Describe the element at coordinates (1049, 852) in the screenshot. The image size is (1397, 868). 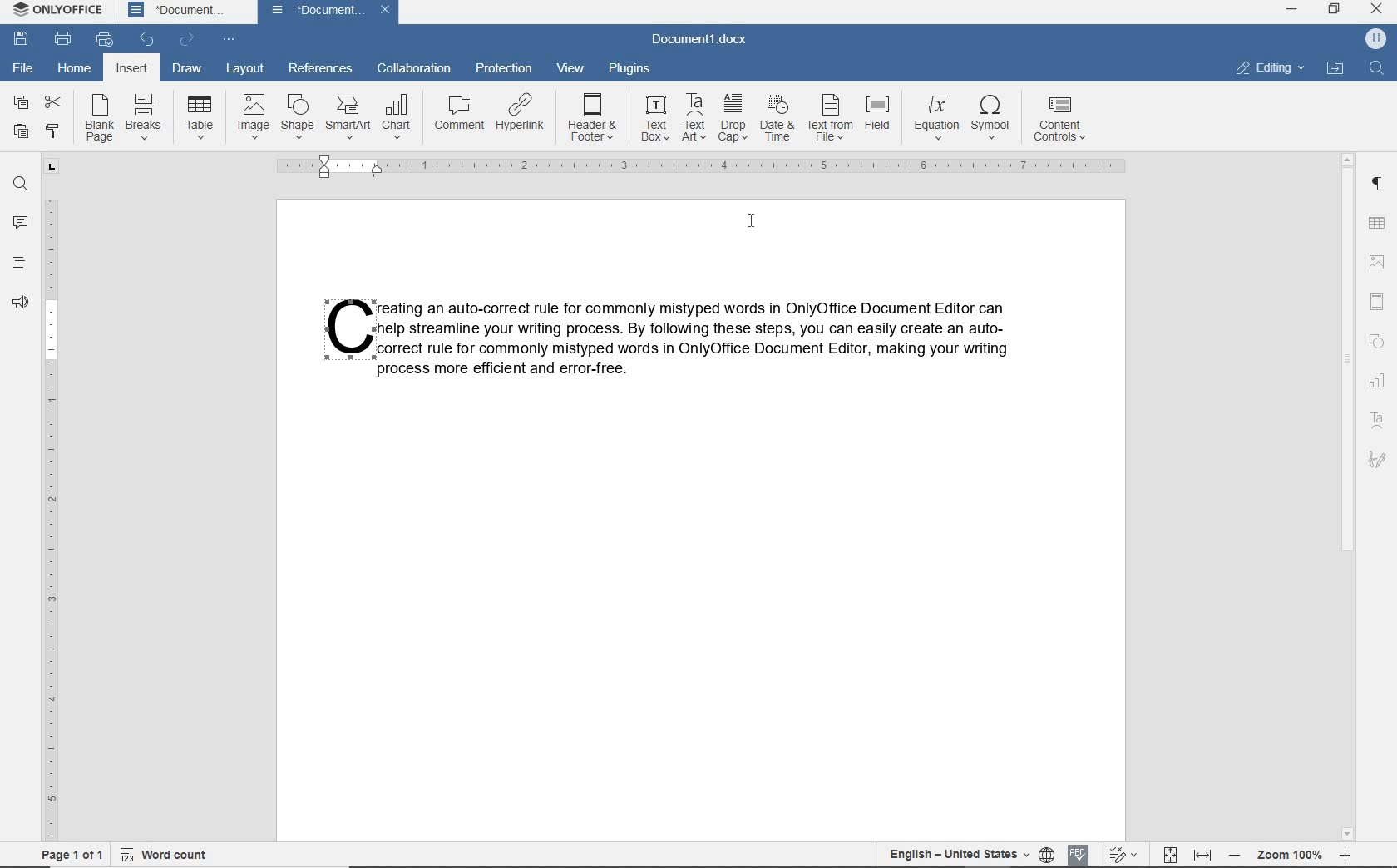
I see `Set document language` at that location.